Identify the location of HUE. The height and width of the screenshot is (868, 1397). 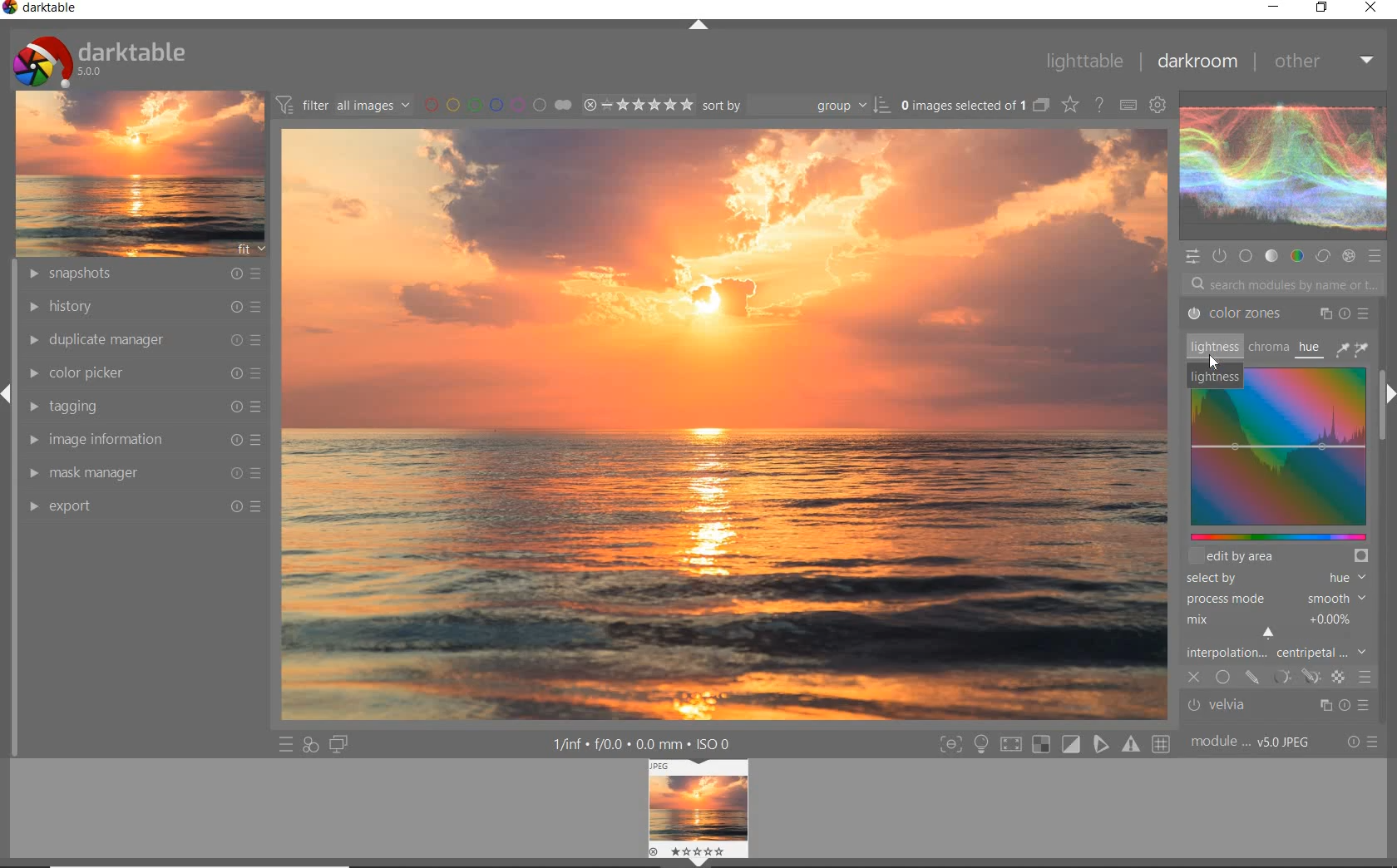
(1310, 350).